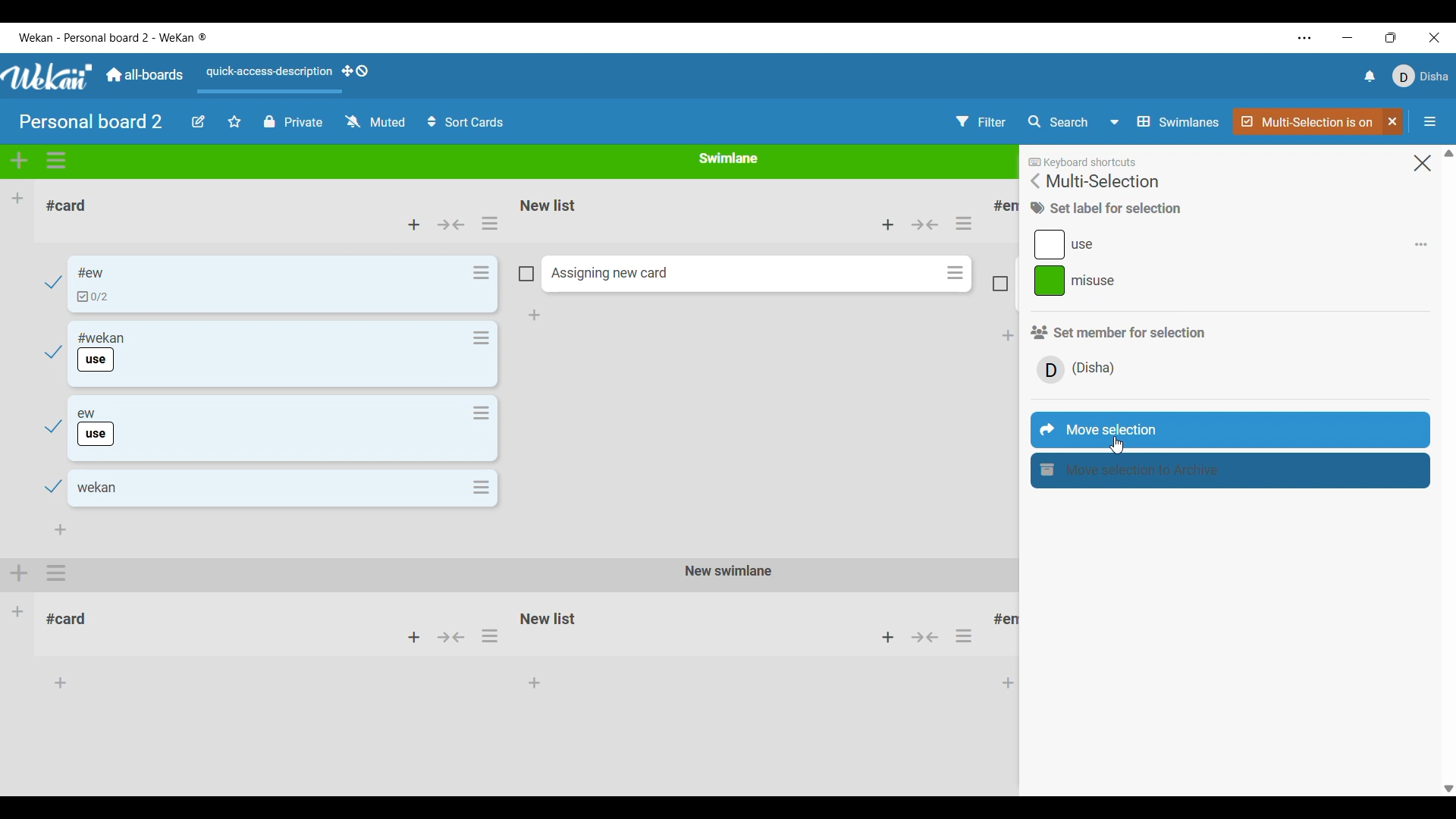  Describe the element at coordinates (481, 379) in the screenshot. I see `Card actions for respective card in the list` at that location.